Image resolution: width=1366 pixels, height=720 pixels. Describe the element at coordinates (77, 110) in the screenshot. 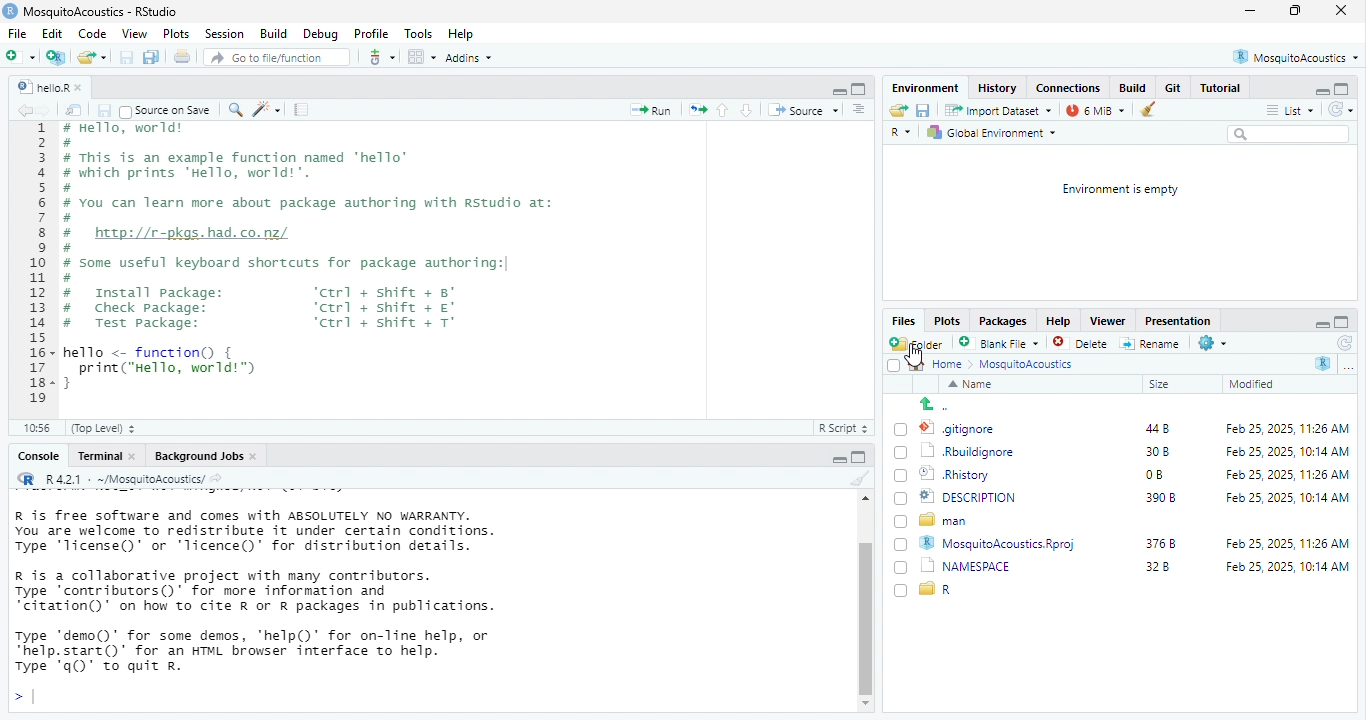

I see `show in new window` at that location.